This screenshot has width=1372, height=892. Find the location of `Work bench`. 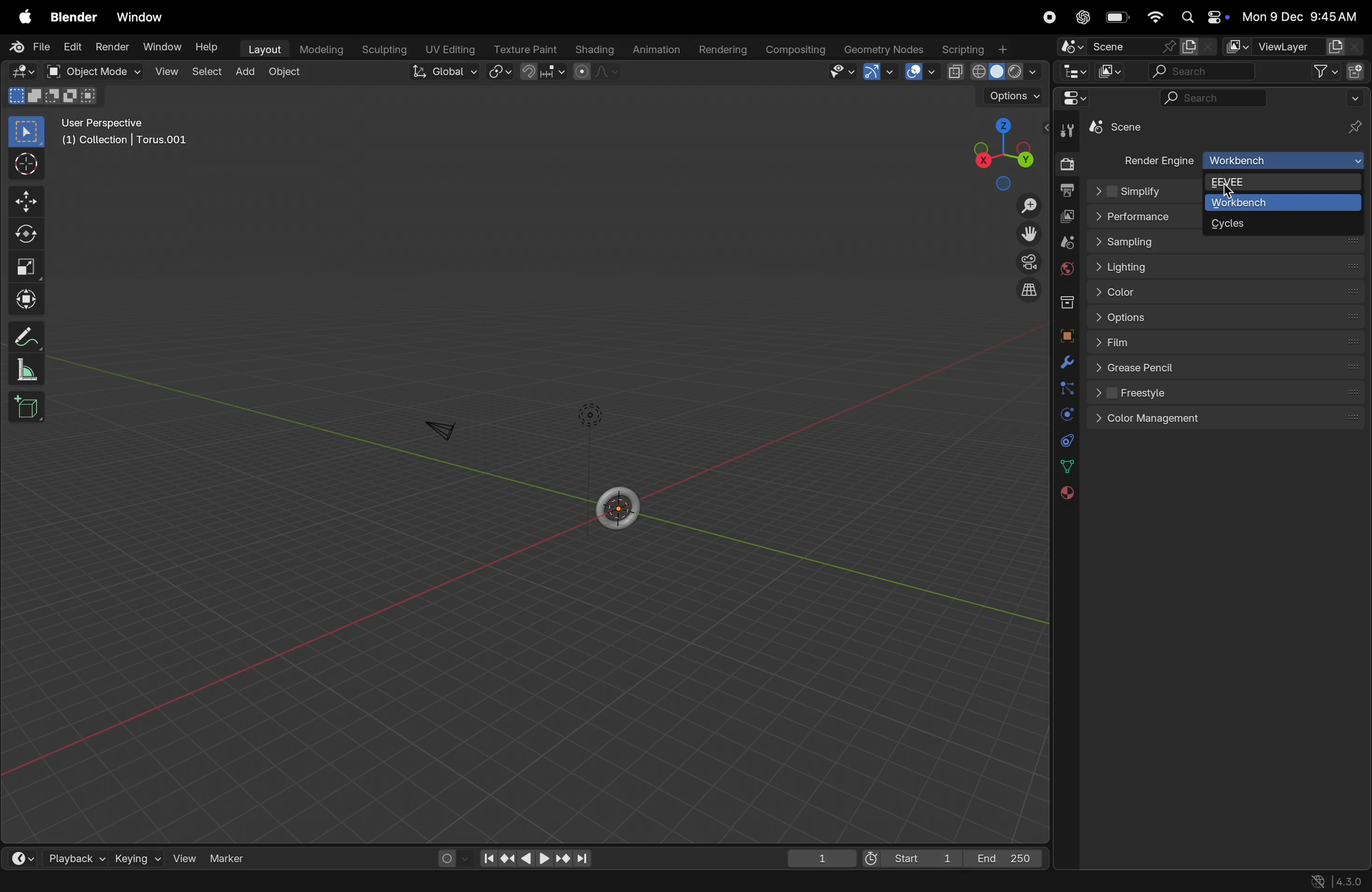

Work bench is located at coordinates (1285, 161).